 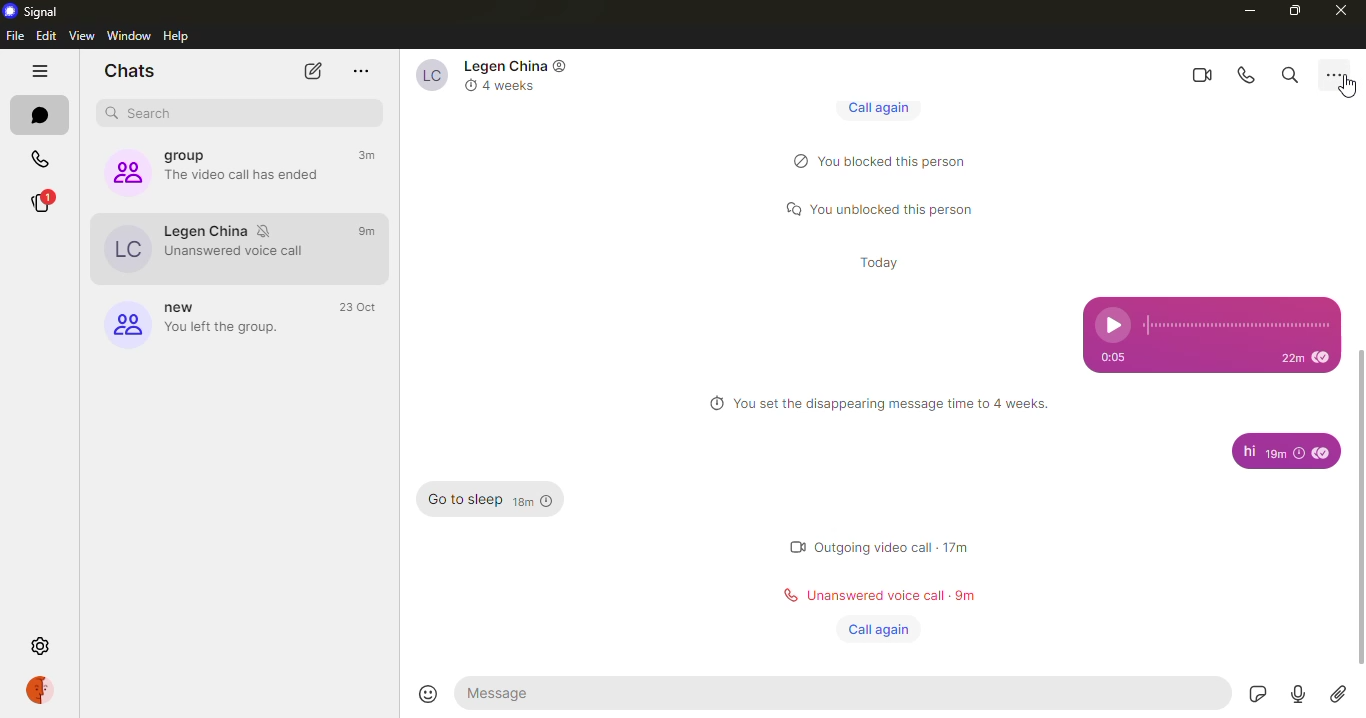 What do you see at coordinates (177, 36) in the screenshot?
I see `help` at bounding box center [177, 36].